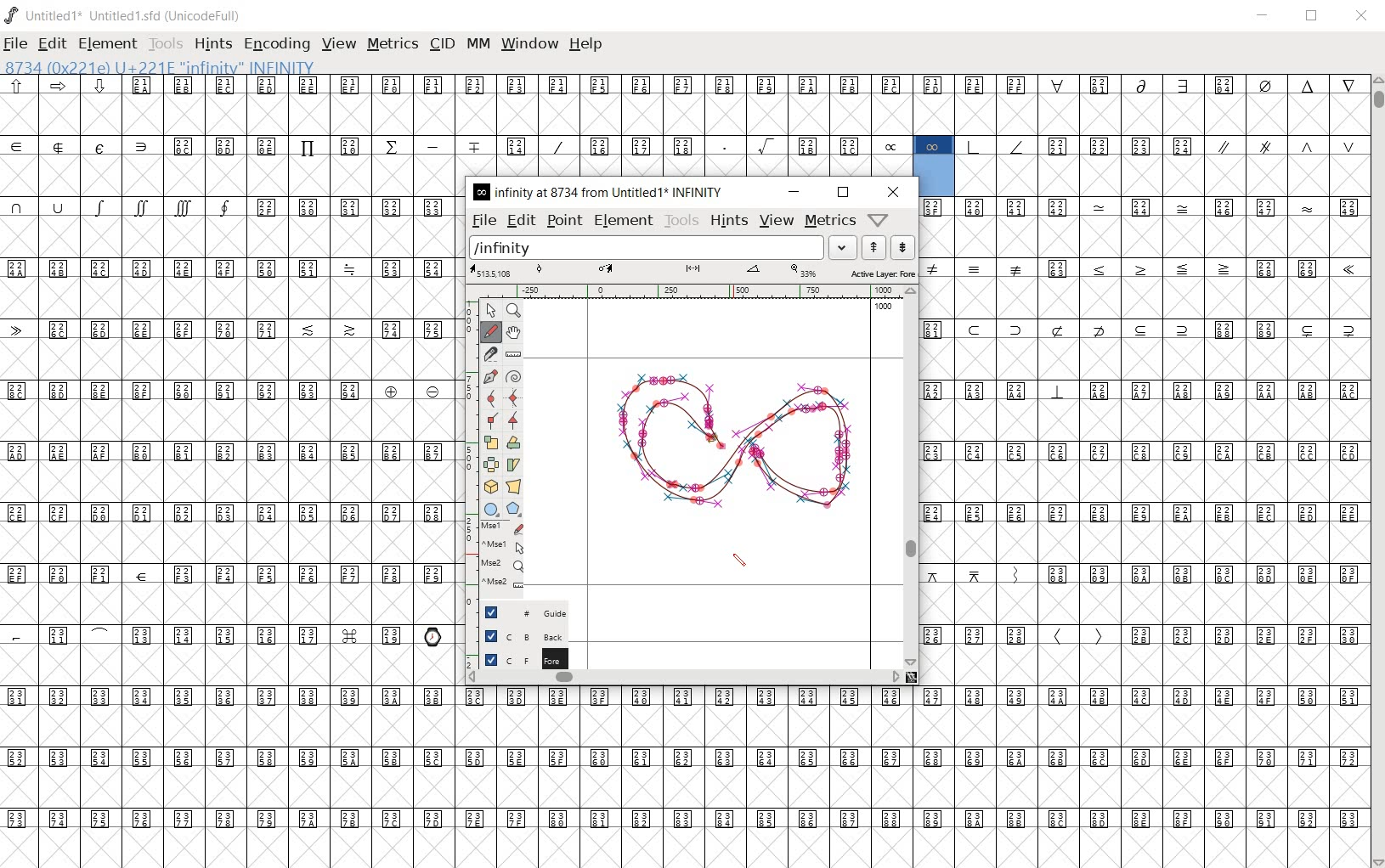 This screenshot has height=868, width=1385. What do you see at coordinates (490, 441) in the screenshot?
I see `scale the selection` at bounding box center [490, 441].